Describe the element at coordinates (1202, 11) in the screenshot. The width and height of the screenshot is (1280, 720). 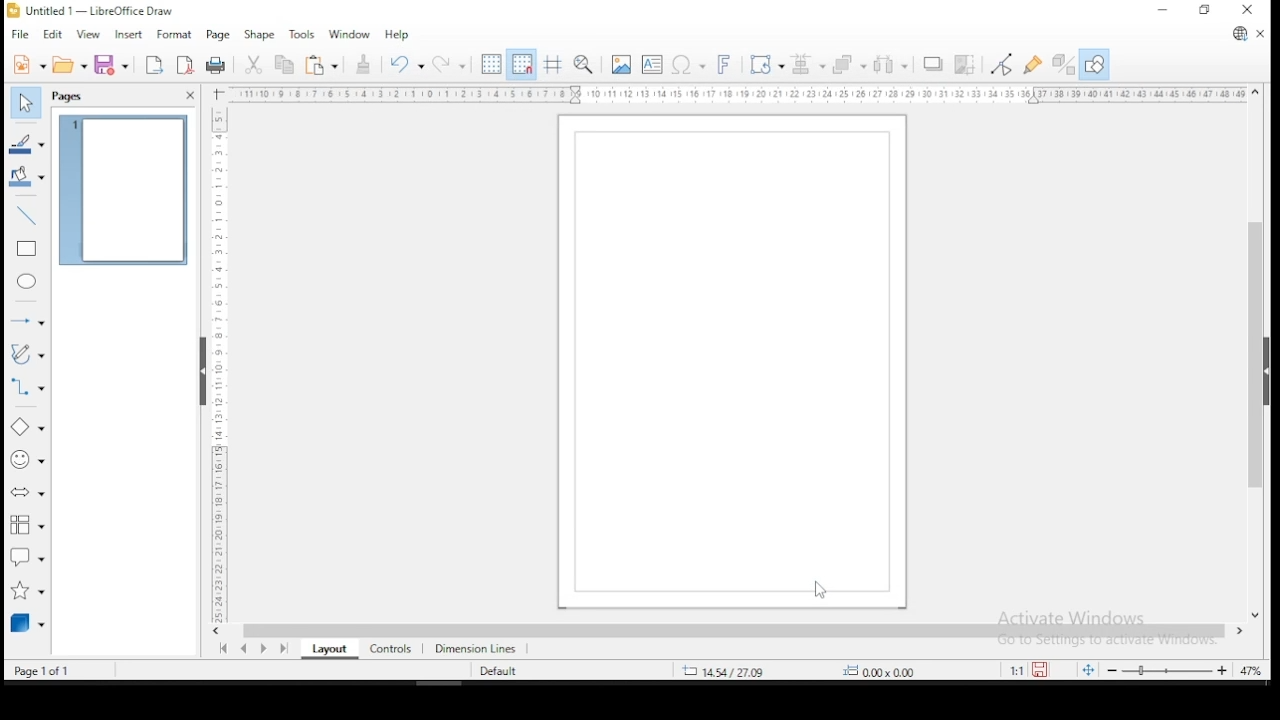
I see `restore` at that location.